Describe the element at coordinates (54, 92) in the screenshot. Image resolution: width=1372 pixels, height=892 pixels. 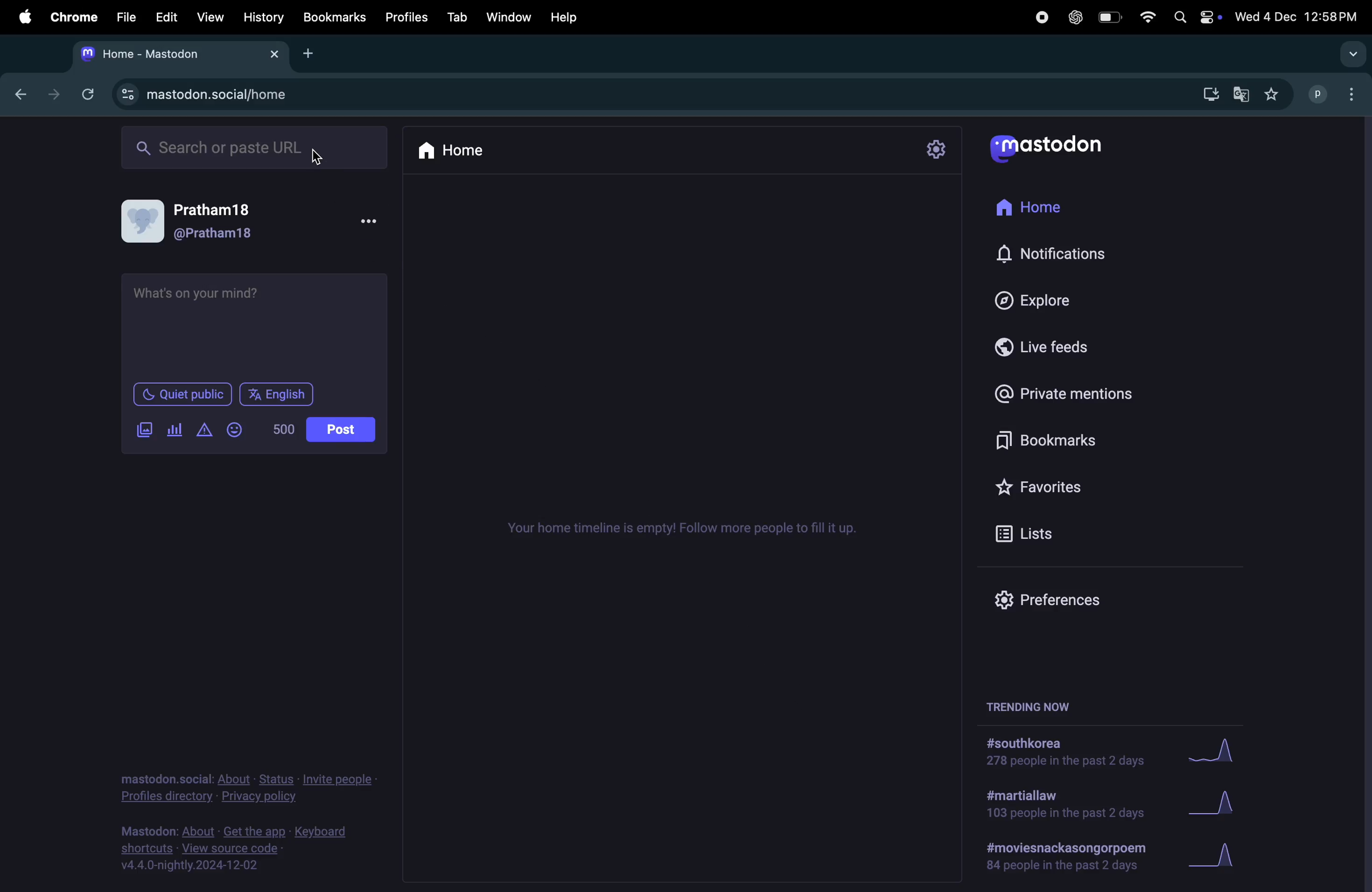
I see `next tab` at that location.